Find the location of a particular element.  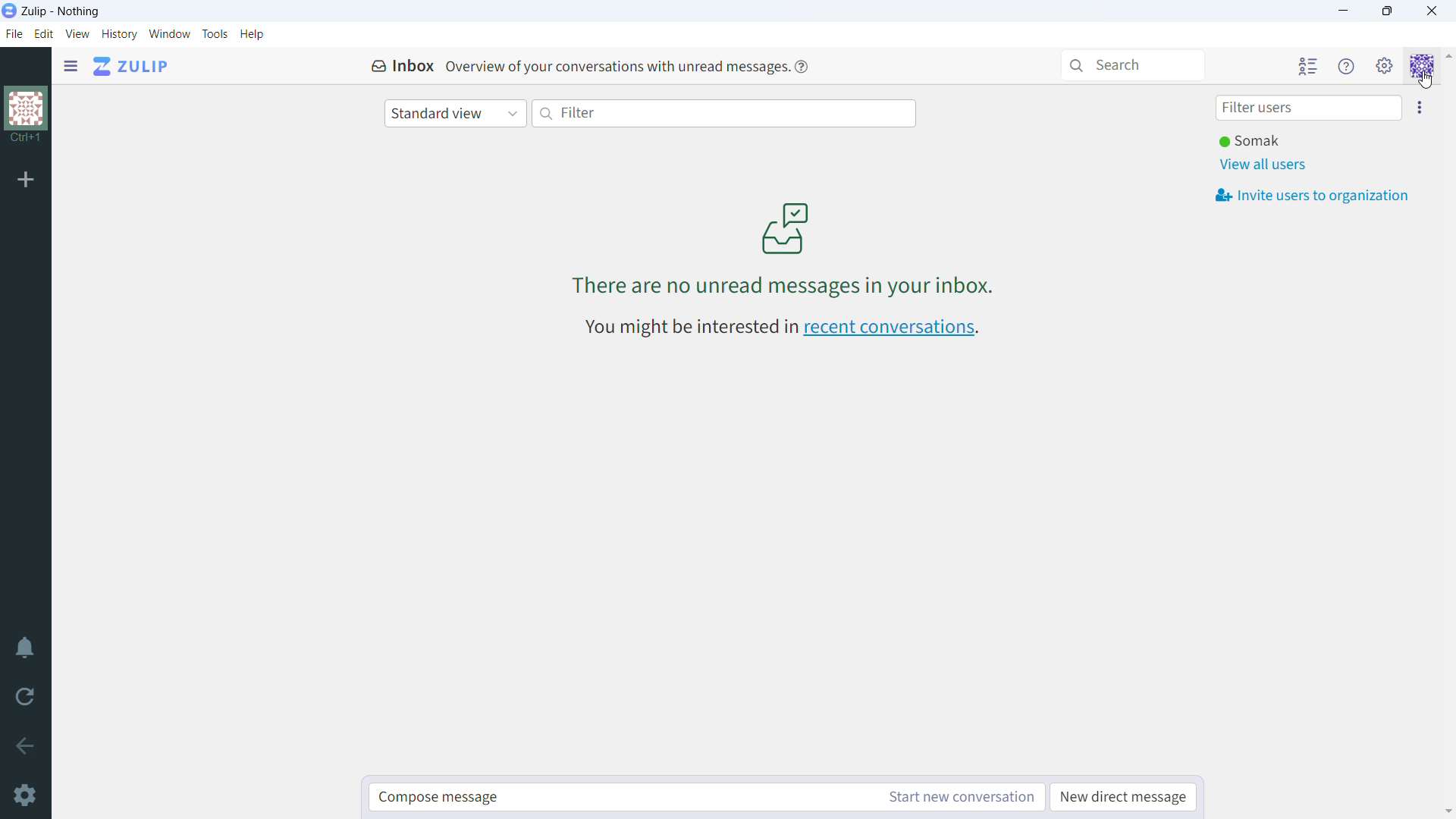

filter users is located at coordinates (1310, 107).